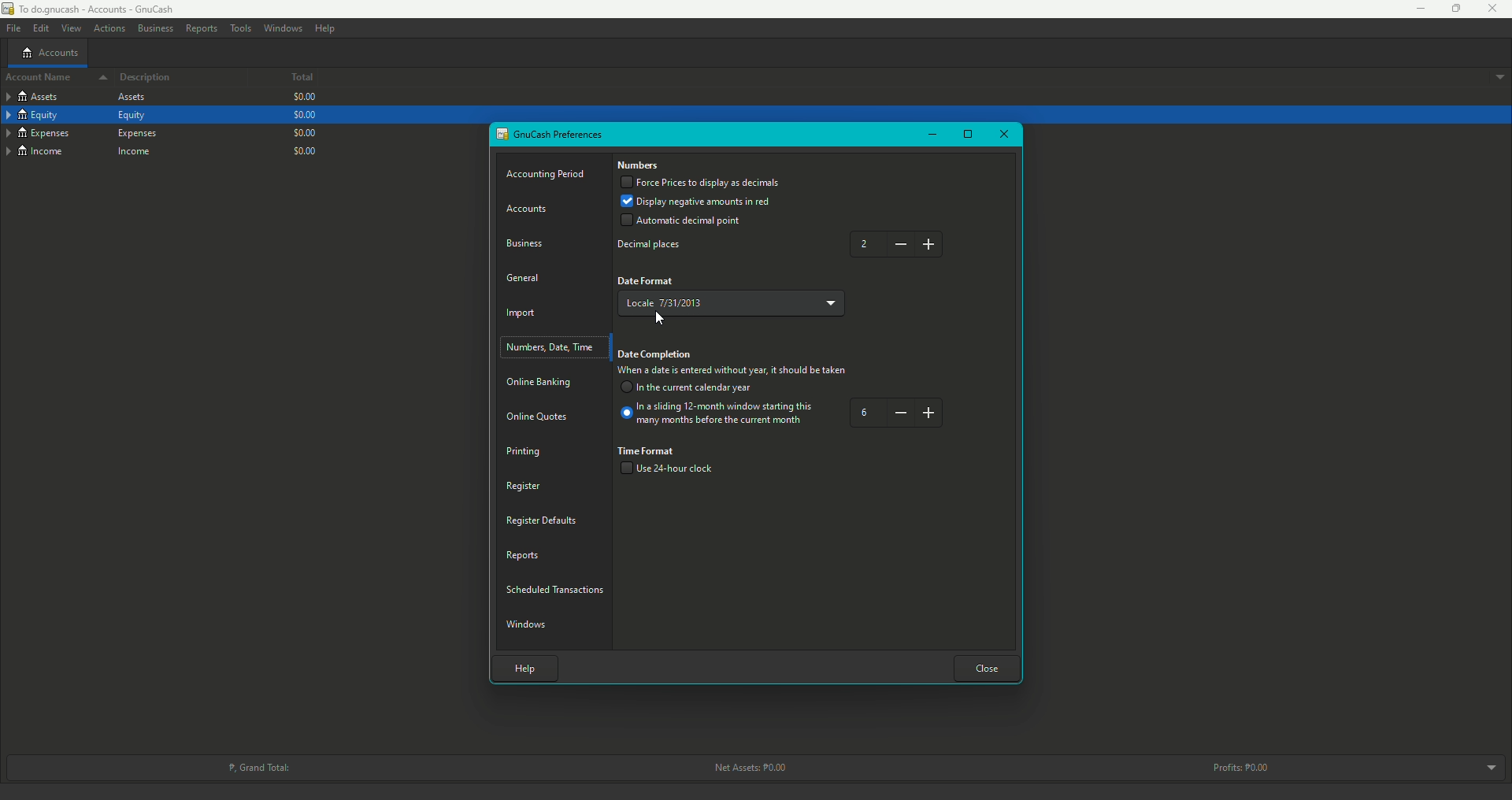 Image resolution: width=1512 pixels, height=800 pixels. I want to click on General, so click(524, 276).